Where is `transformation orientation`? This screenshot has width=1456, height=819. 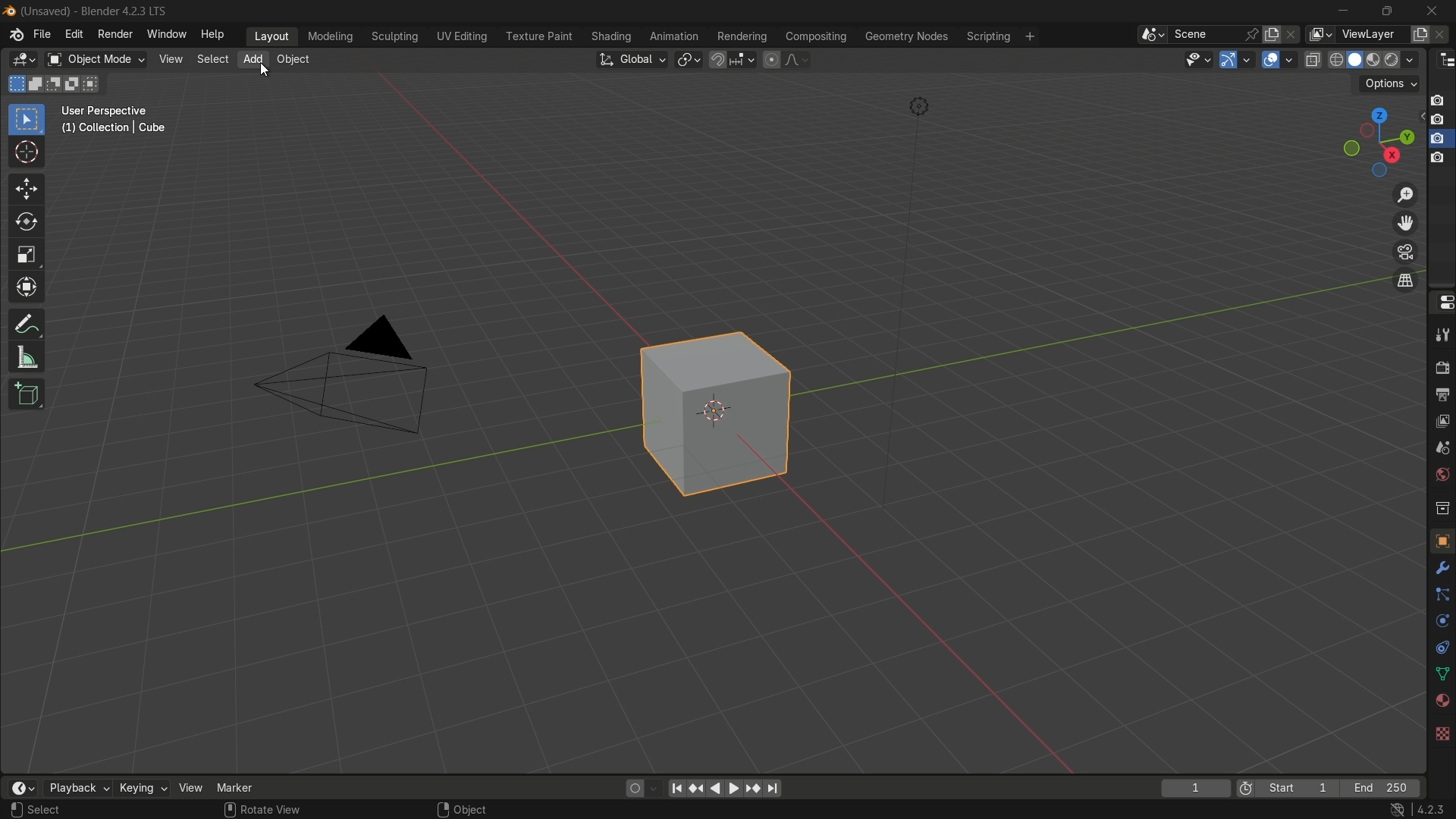 transformation orientation is located at coordinates (631, 60).